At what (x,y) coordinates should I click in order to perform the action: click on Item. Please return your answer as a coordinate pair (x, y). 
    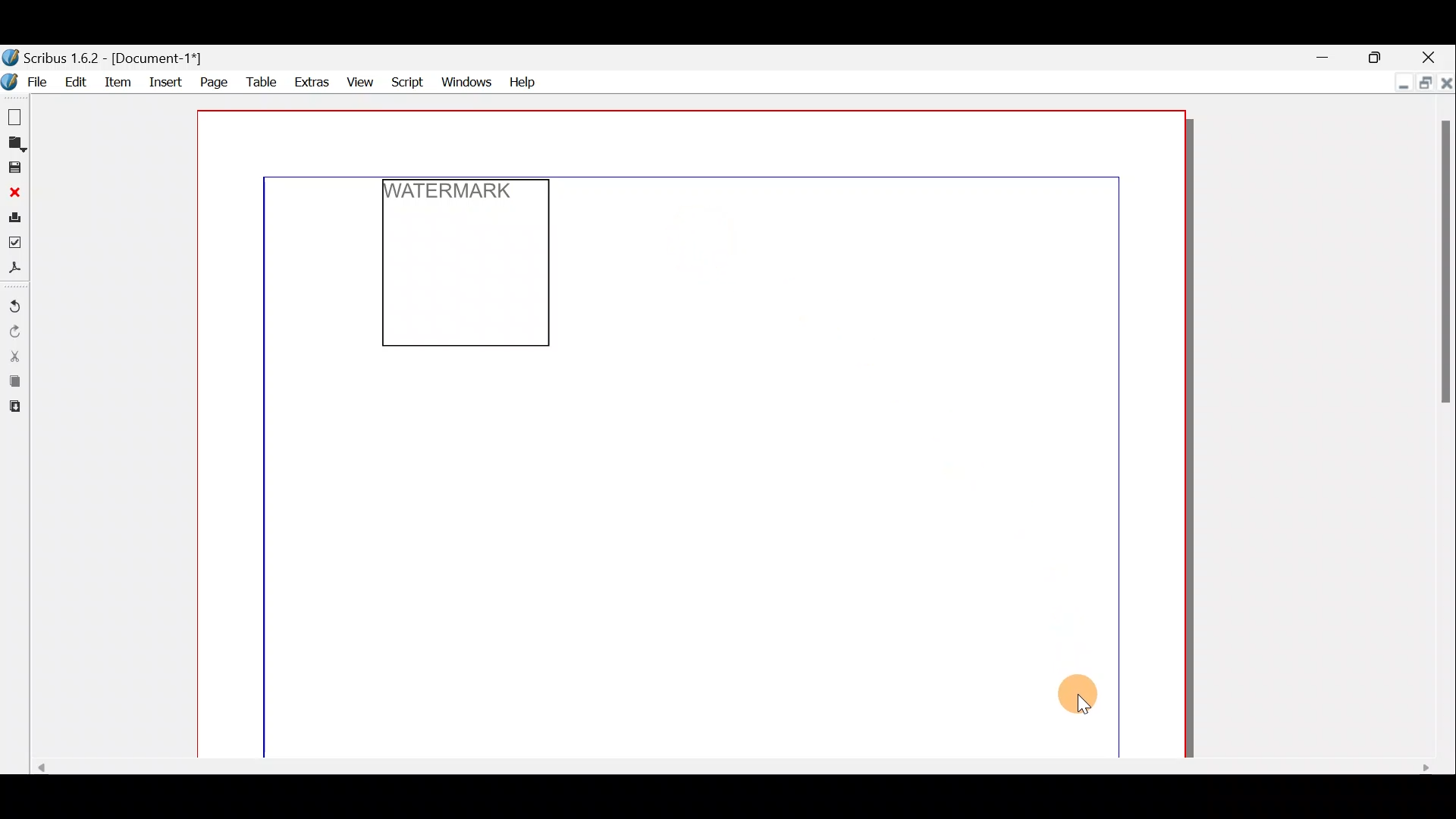
    Looking at the image, I should click on (121, 81).